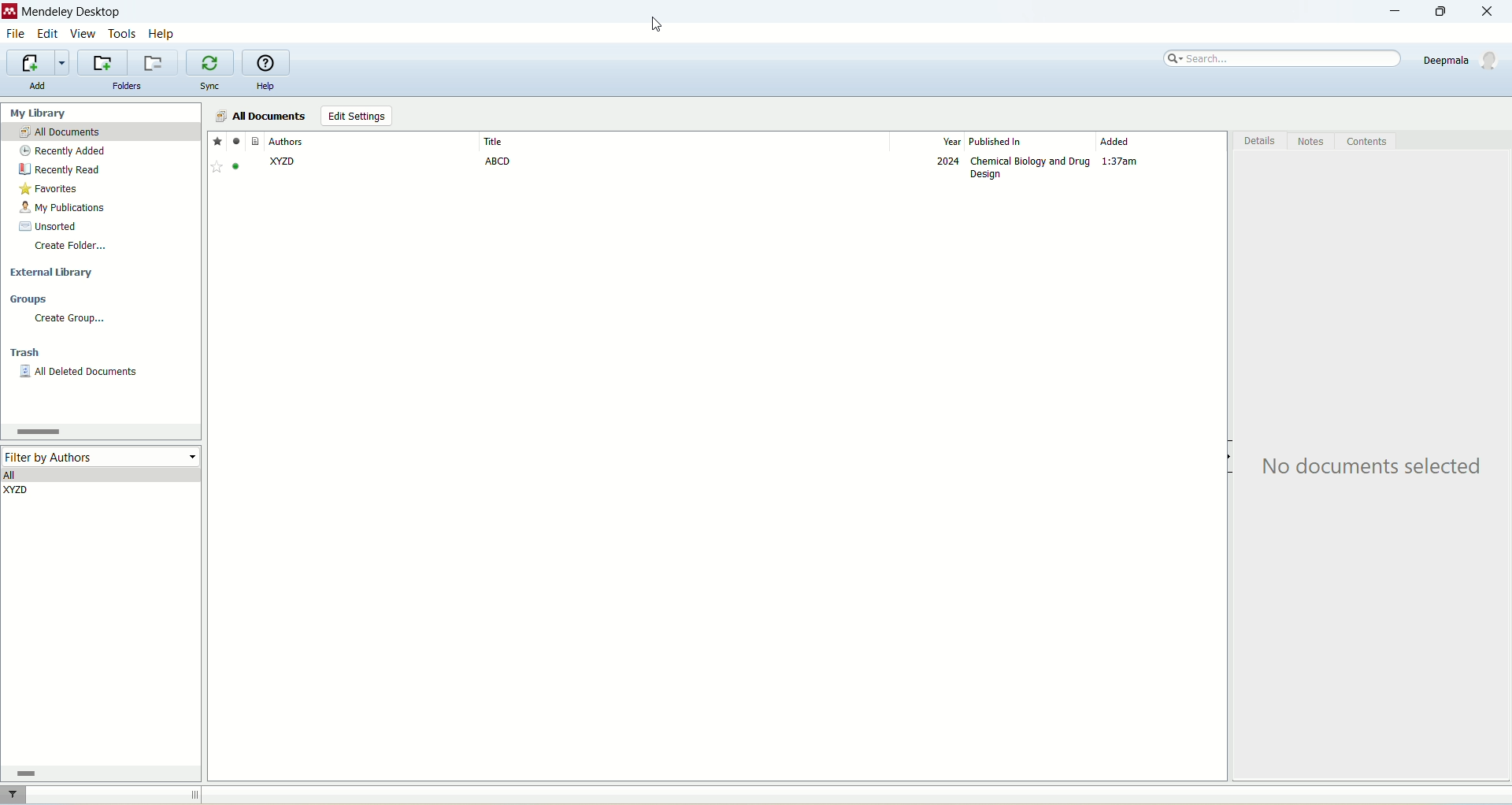 The image size is (1512, 805). I want to click on create a new folder, so click(102, 63).